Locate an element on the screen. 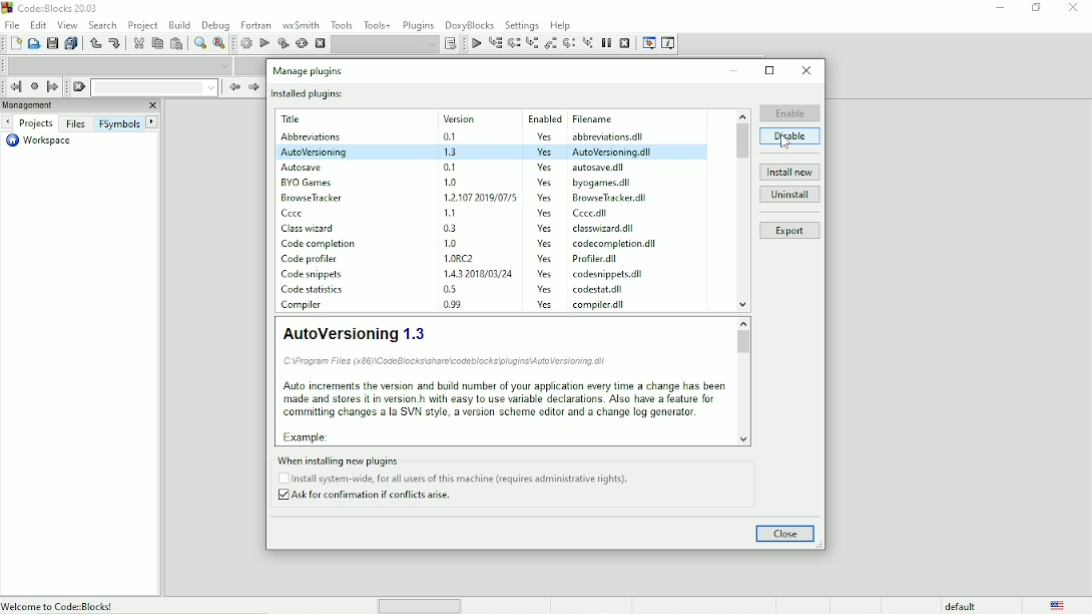  Stop debugger is located at coordinates (625, 43).